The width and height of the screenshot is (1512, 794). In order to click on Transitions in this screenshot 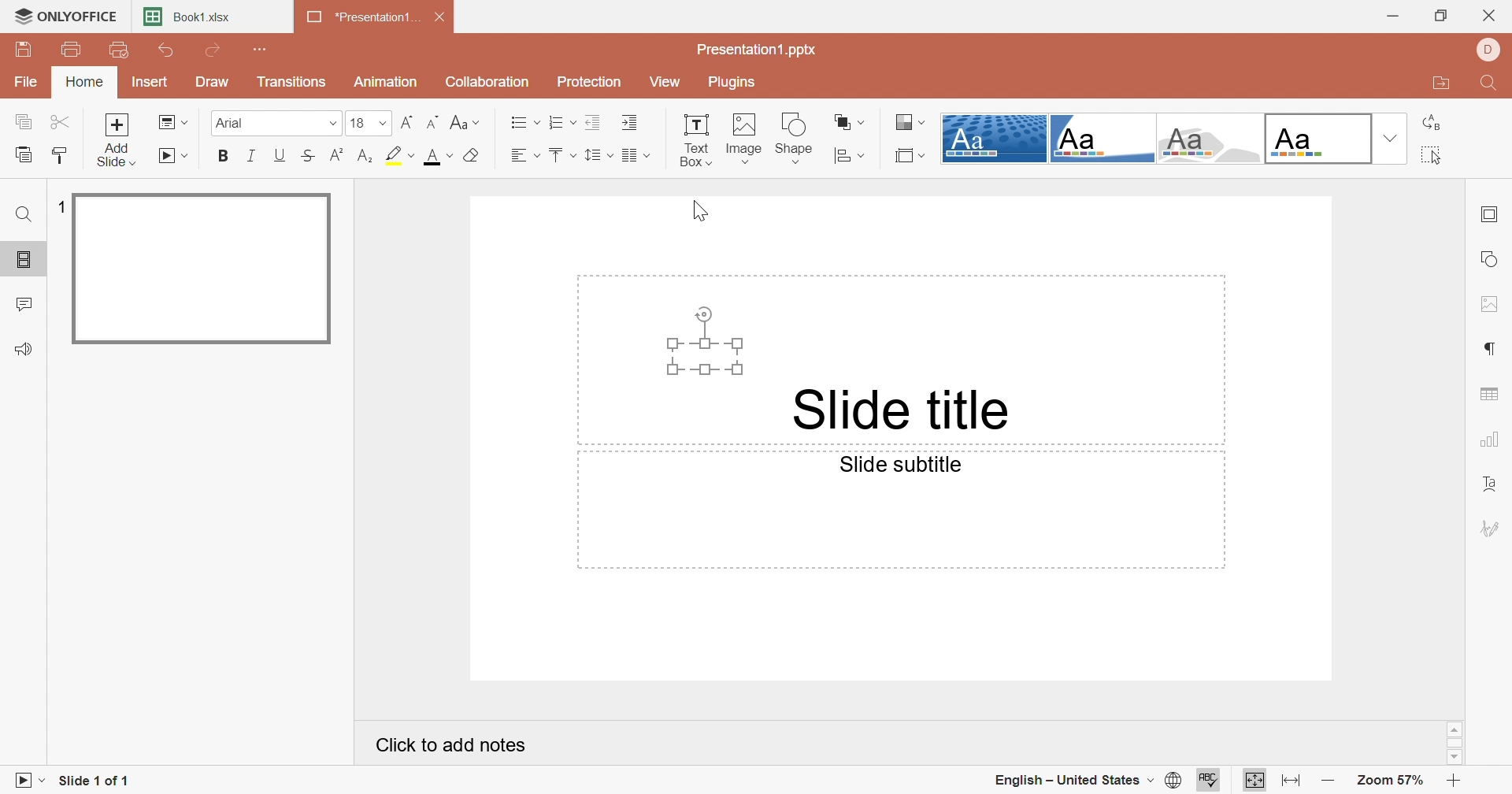, I will do `click(291, 82)`.